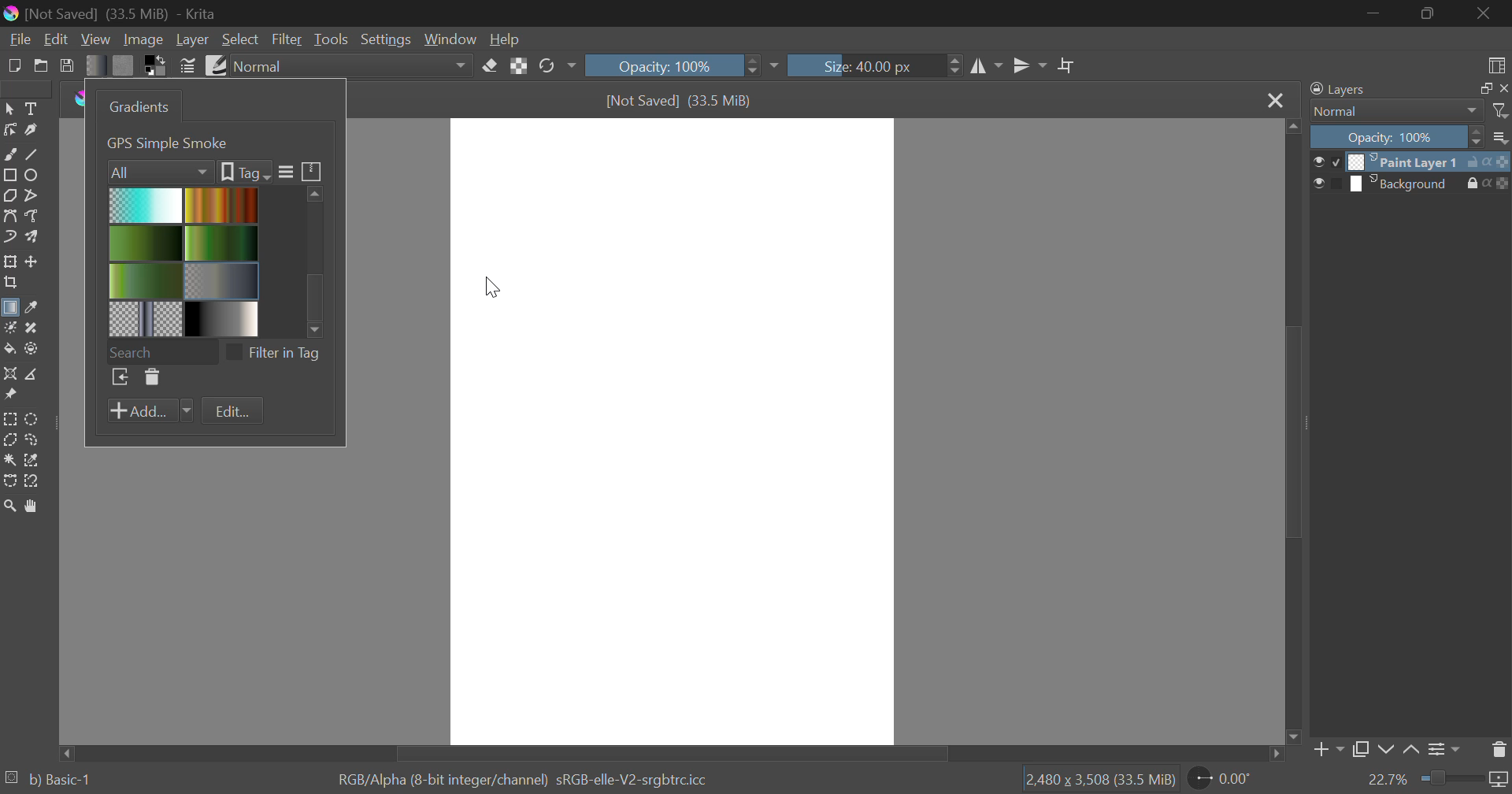  Describe the element at coordinates (150, 411) in the screenshot. I see `Add...` at that location.